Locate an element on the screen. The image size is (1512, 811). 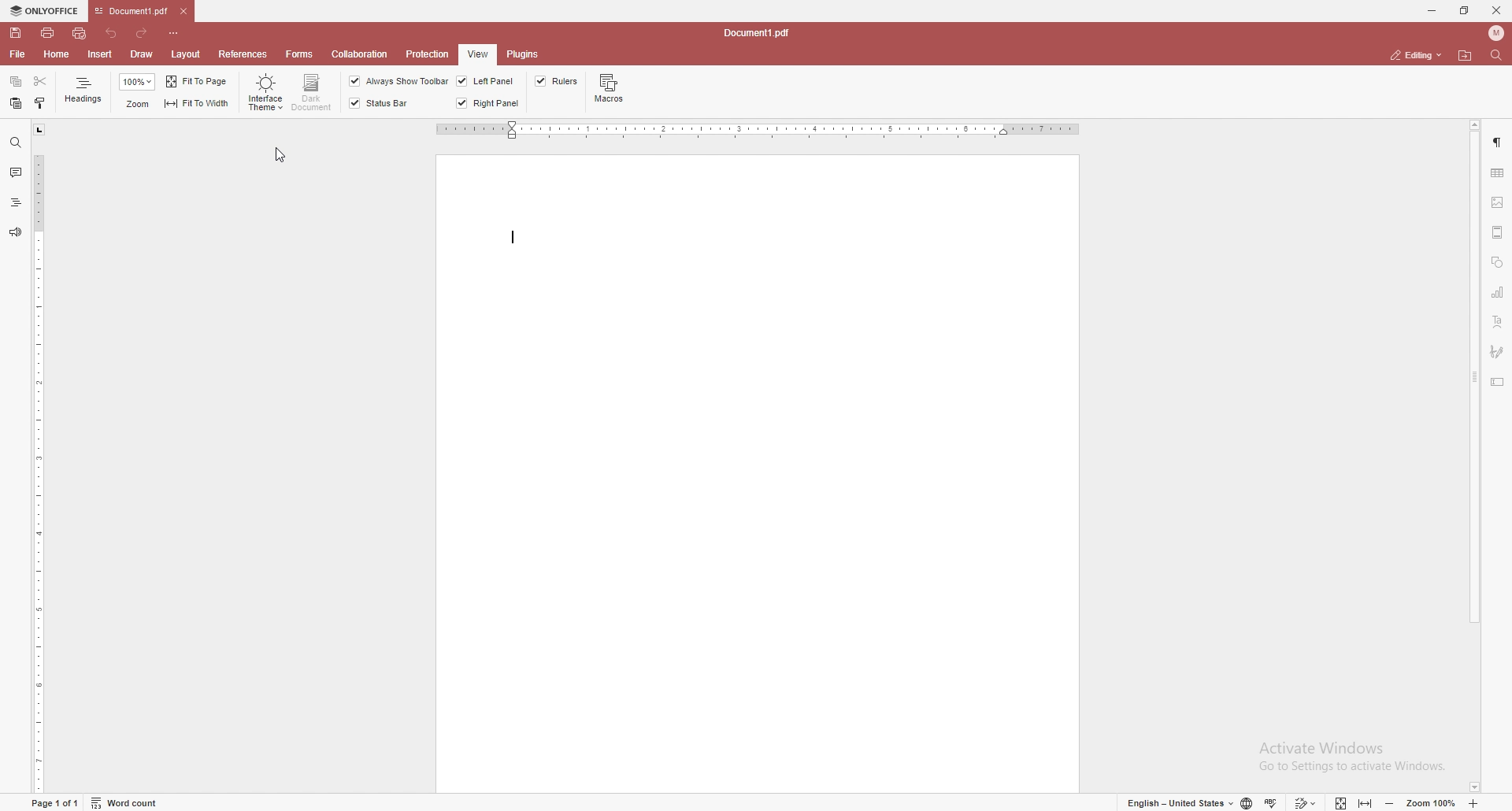
copy style is located at coordinates (40, 103).